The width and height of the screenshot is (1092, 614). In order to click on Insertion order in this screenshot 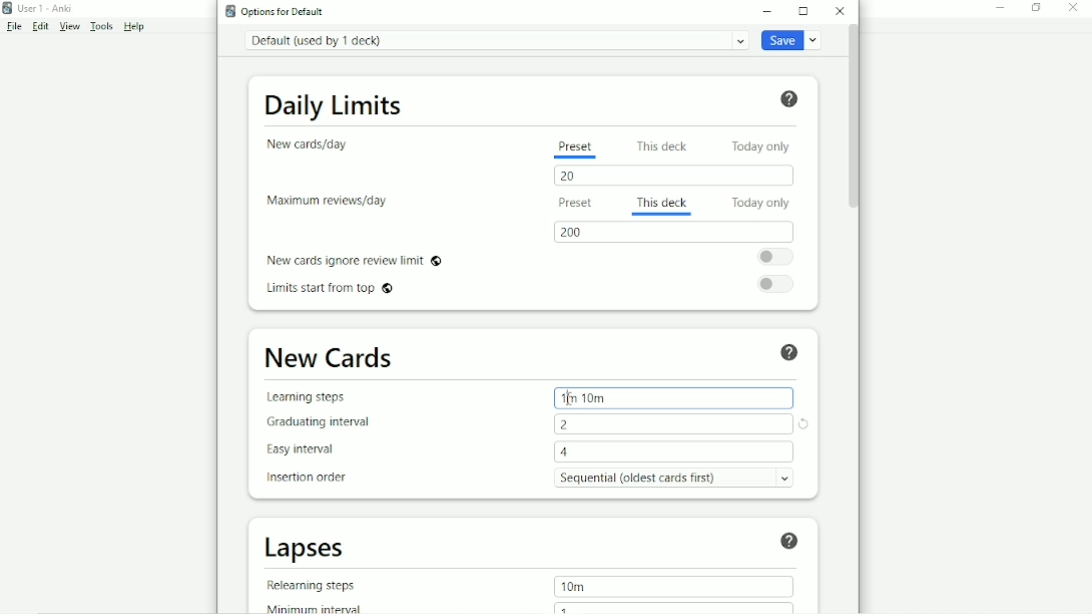, I will do `click(306, 476)`.